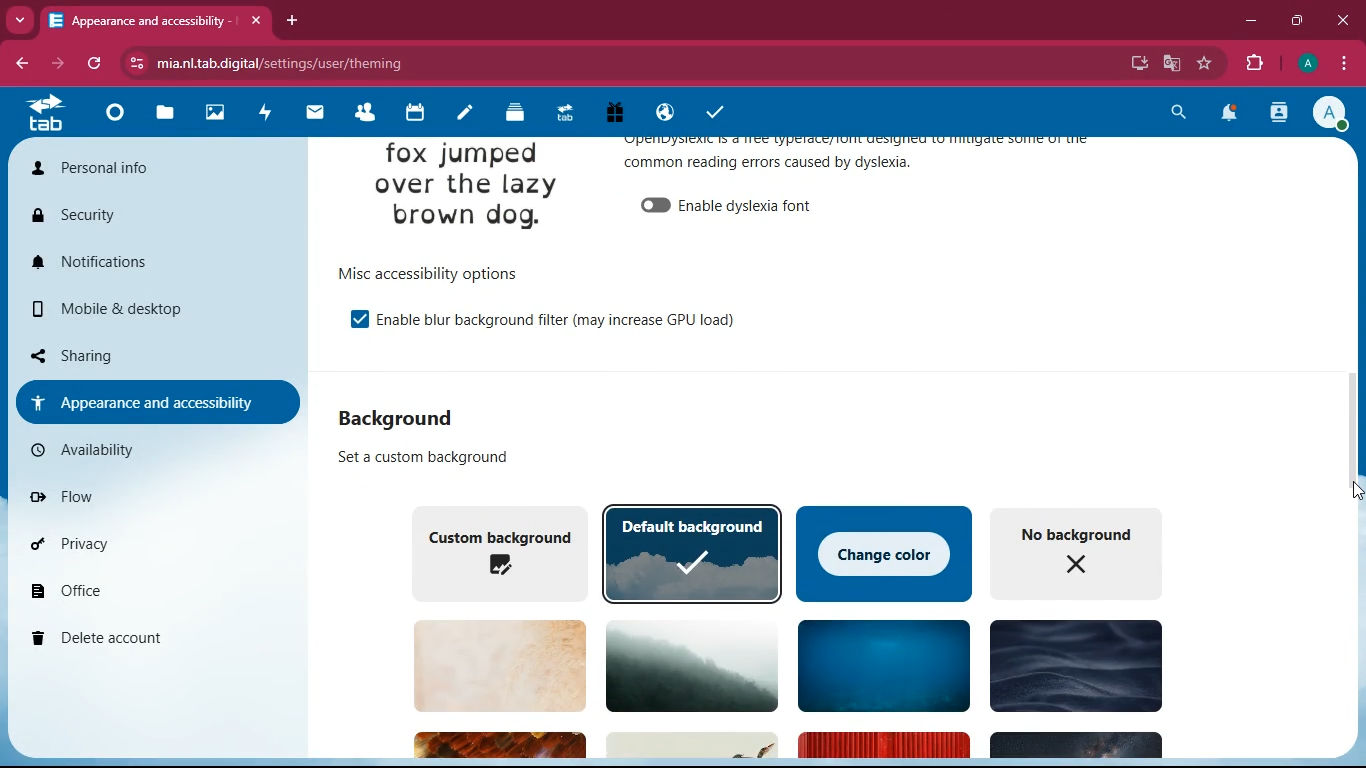 The image size is (1366, 768). Describe the element at coordinates (115, 114) in the screenshot. I see `home` at that location.